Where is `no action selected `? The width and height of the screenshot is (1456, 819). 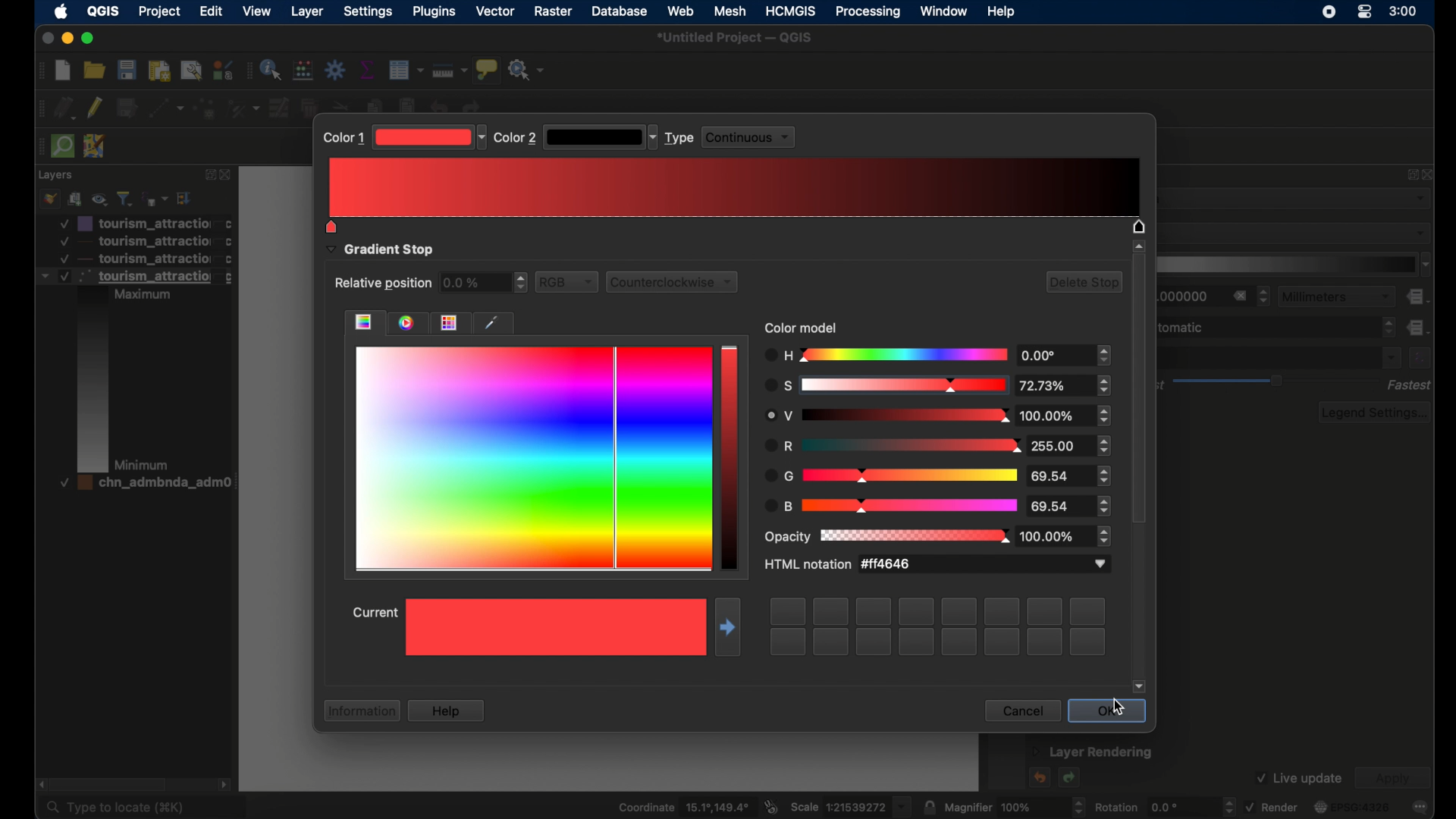
no action selected  is located at coordinates (528, 70).